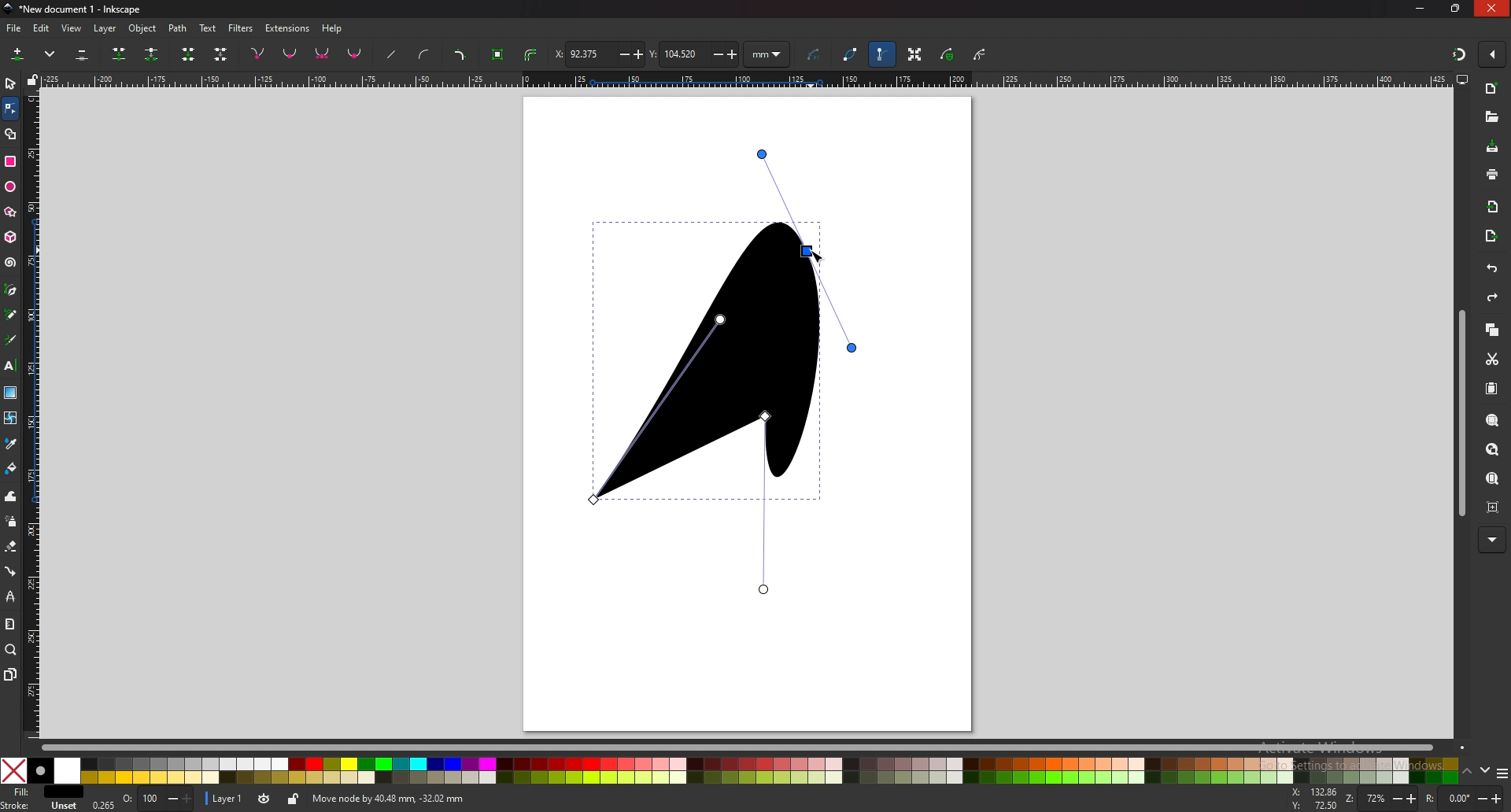 This screenshot has width=1511, height=812. What do you see at coordinates (120, 54) in the screenshot?
I see `join selected nodes` at bounding box center [120, 54].